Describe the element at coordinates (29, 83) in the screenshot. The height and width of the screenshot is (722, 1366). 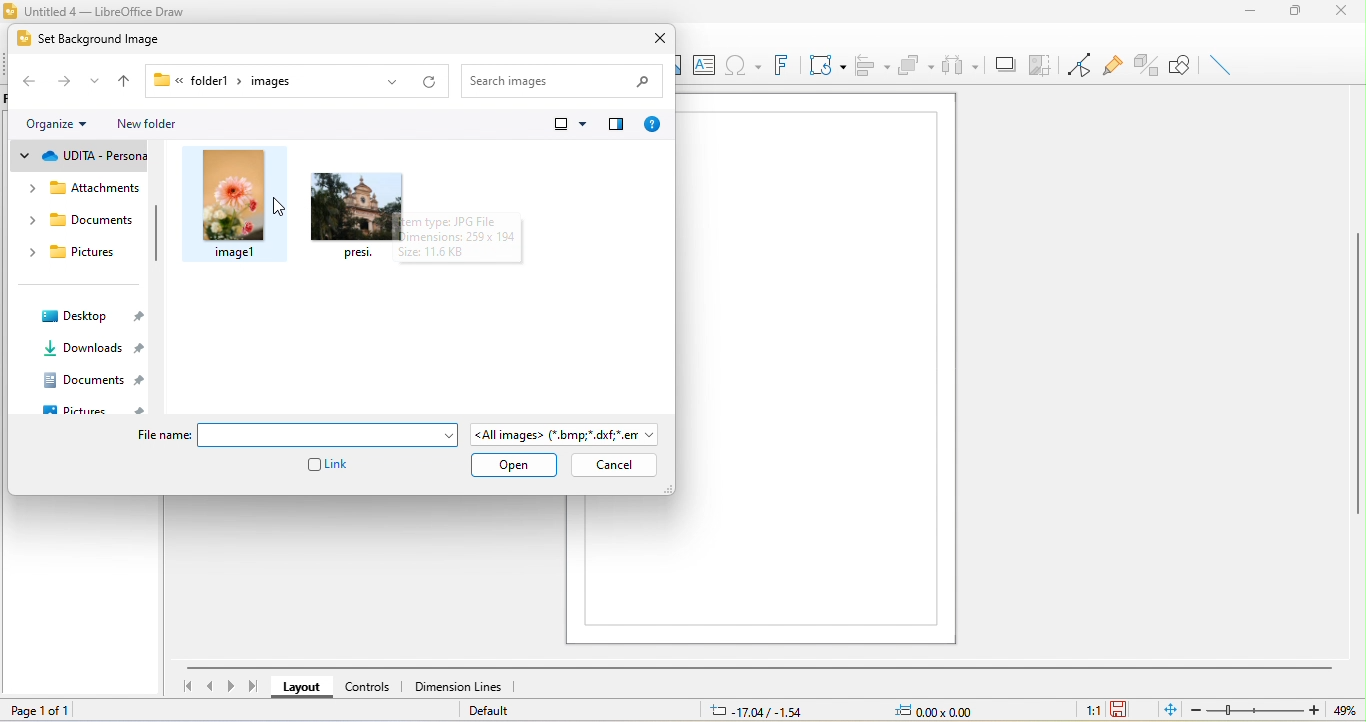
I see `back` at that location.